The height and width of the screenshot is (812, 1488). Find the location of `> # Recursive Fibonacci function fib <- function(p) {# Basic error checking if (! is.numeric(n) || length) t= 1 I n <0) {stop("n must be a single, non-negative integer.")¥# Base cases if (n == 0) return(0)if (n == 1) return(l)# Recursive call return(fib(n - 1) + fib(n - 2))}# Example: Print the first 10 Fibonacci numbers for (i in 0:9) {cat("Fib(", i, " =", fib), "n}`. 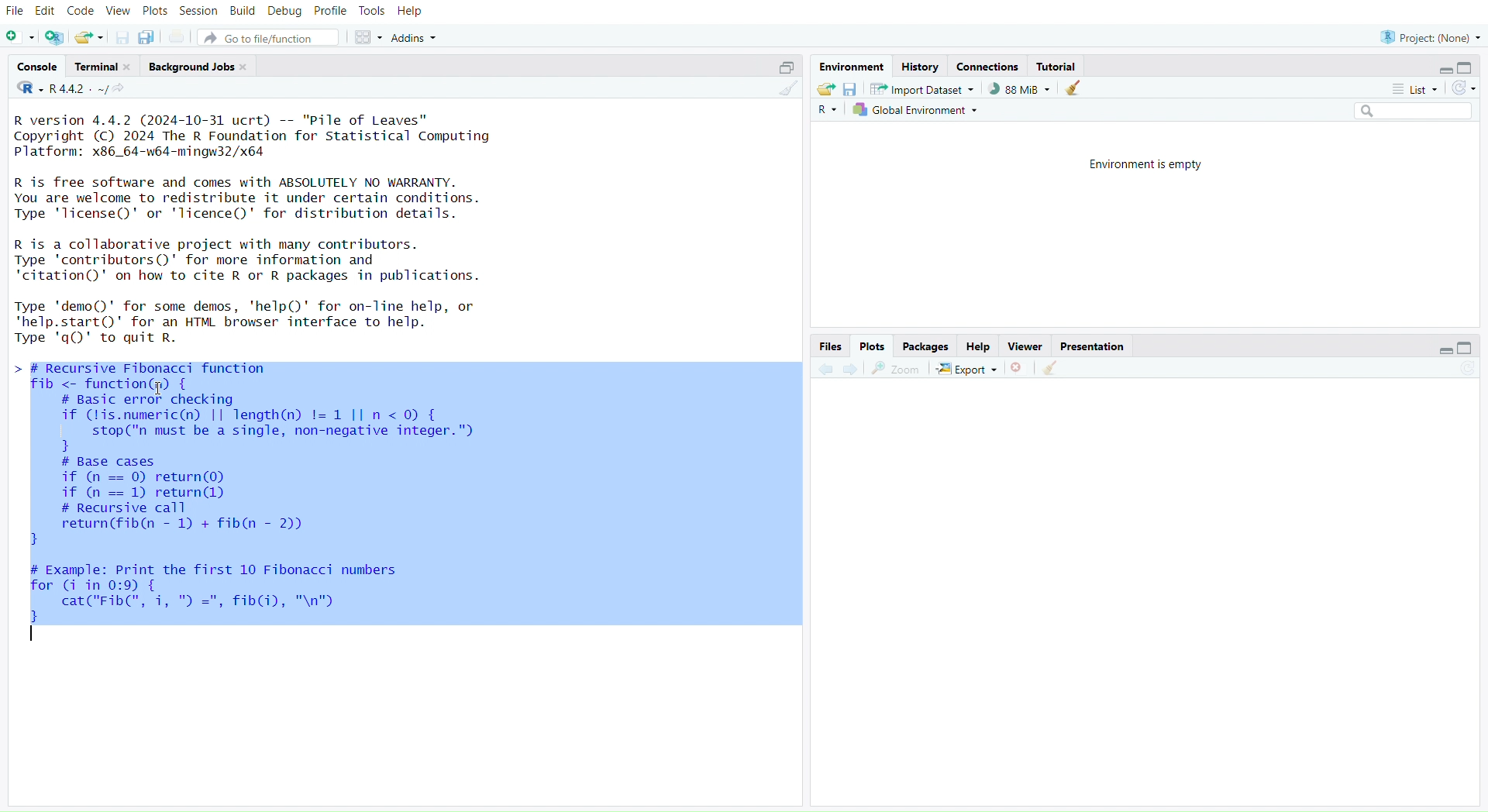

> # Recursive Fibonacci function fib <- function(p) {# Basic error checking if (! is.numeric(n) || length) t= 1 I n <0) {stop("n must be a single, non-negative integer.")¥# Base cases if (n == 0) return(0)if (n == 1) return(l)# Recursive call return(fib(n - 1) + fib(n - 2))}# Example: Print the first 10 Fibonacci numbers for (i in 0:9) {cat("Fib(", i, " =", fib), "n} is located at coordinates (274, 511).